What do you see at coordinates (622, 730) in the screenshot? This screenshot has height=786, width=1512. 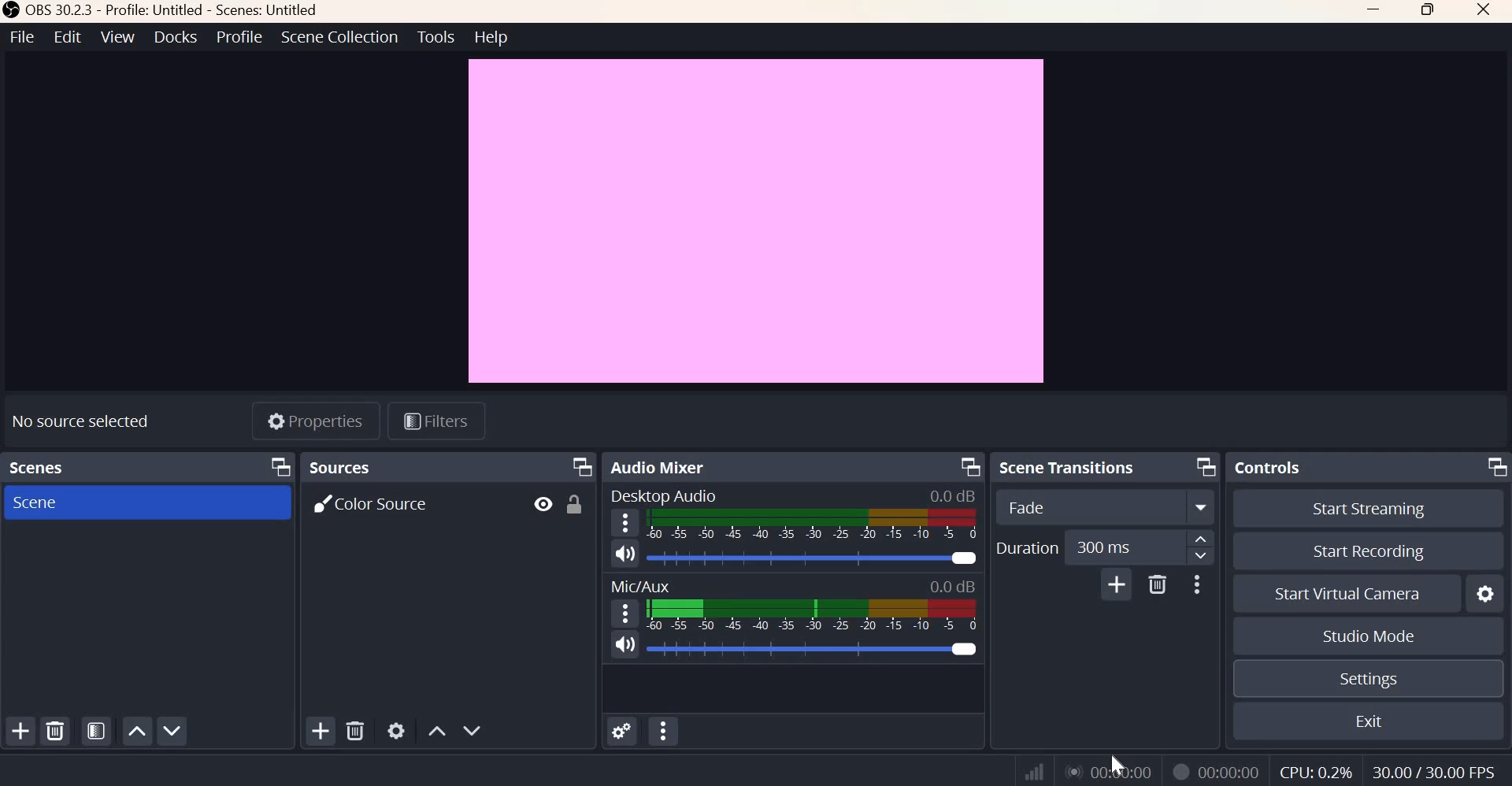 I see `Advances Audio Properties` at bounding box center [622, 730].